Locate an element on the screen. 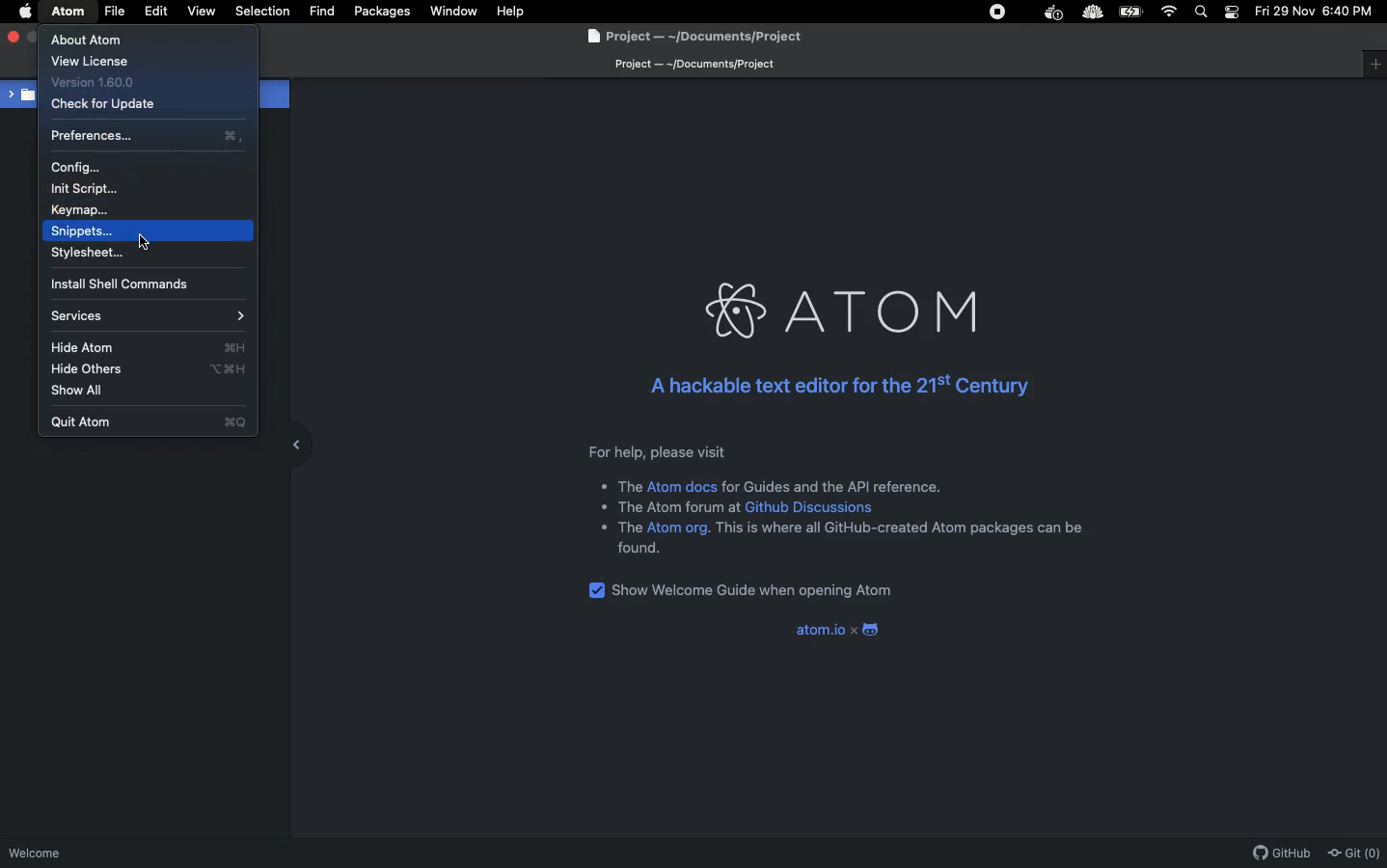 The image size is (1387, 868). Keymap is located at coordinates (81, 209).